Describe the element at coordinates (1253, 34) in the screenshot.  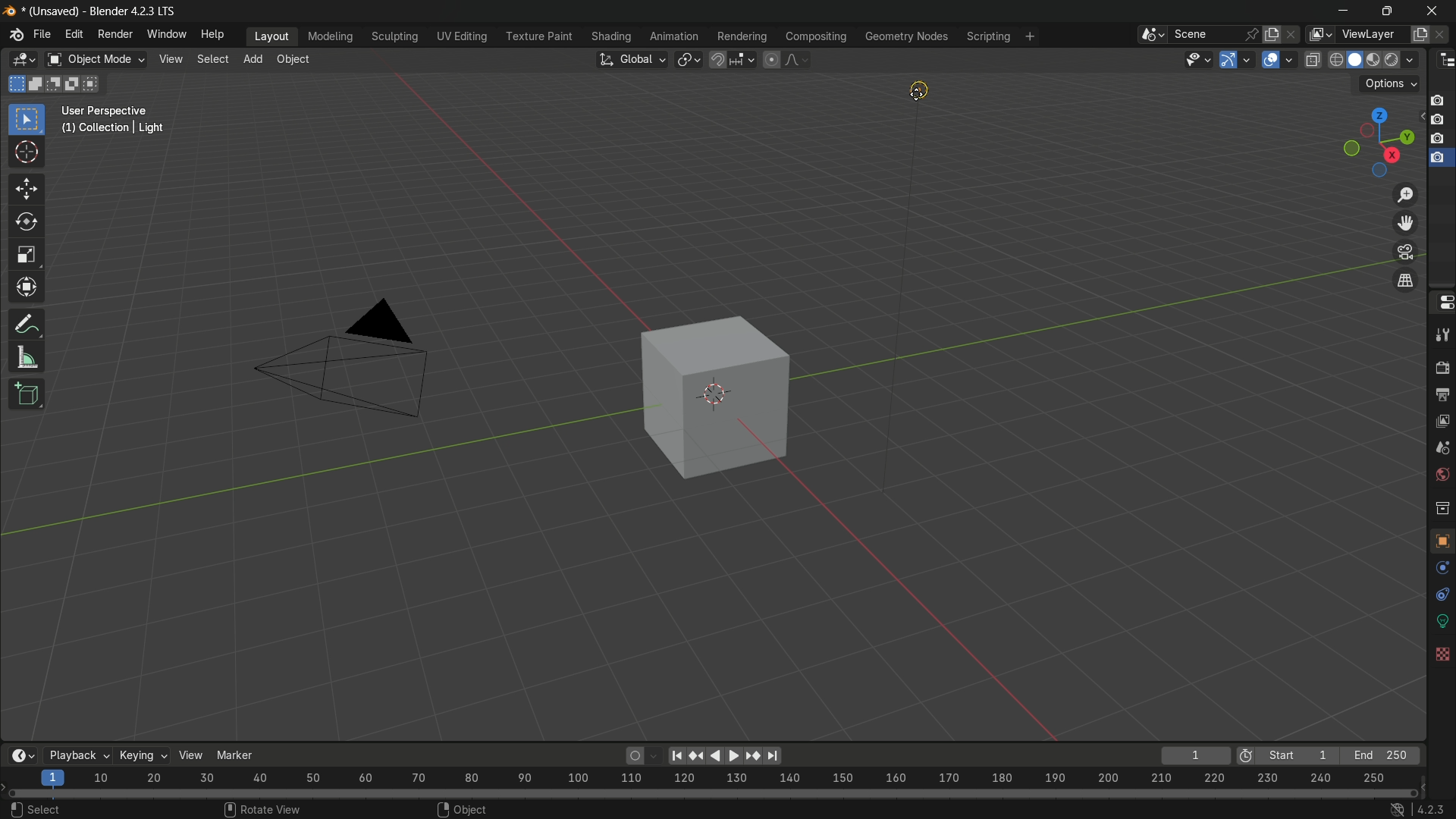
I see `pin scene to workspace` at that location.